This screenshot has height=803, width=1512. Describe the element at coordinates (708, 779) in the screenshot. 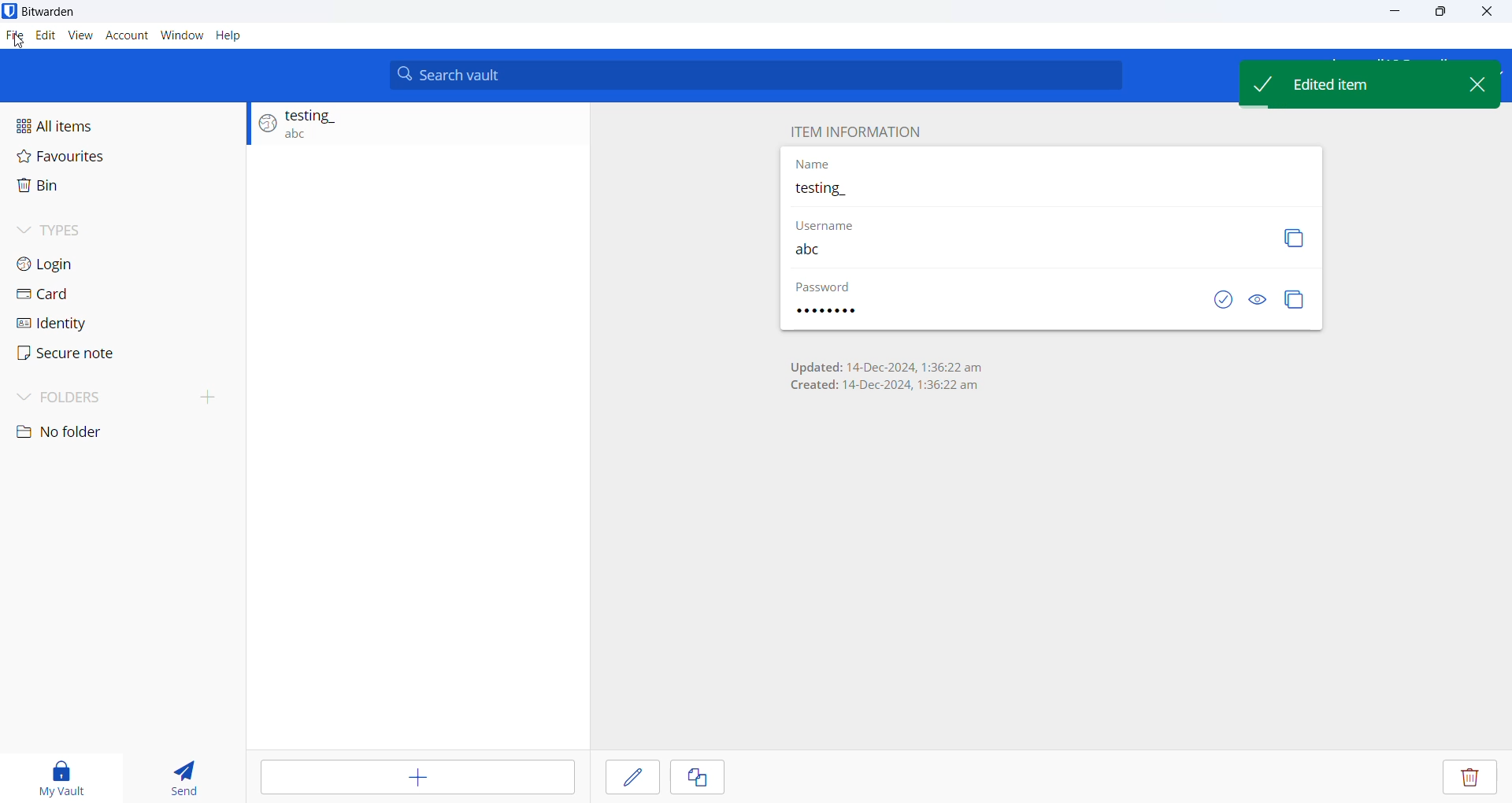

I see `Cancel` at that location.